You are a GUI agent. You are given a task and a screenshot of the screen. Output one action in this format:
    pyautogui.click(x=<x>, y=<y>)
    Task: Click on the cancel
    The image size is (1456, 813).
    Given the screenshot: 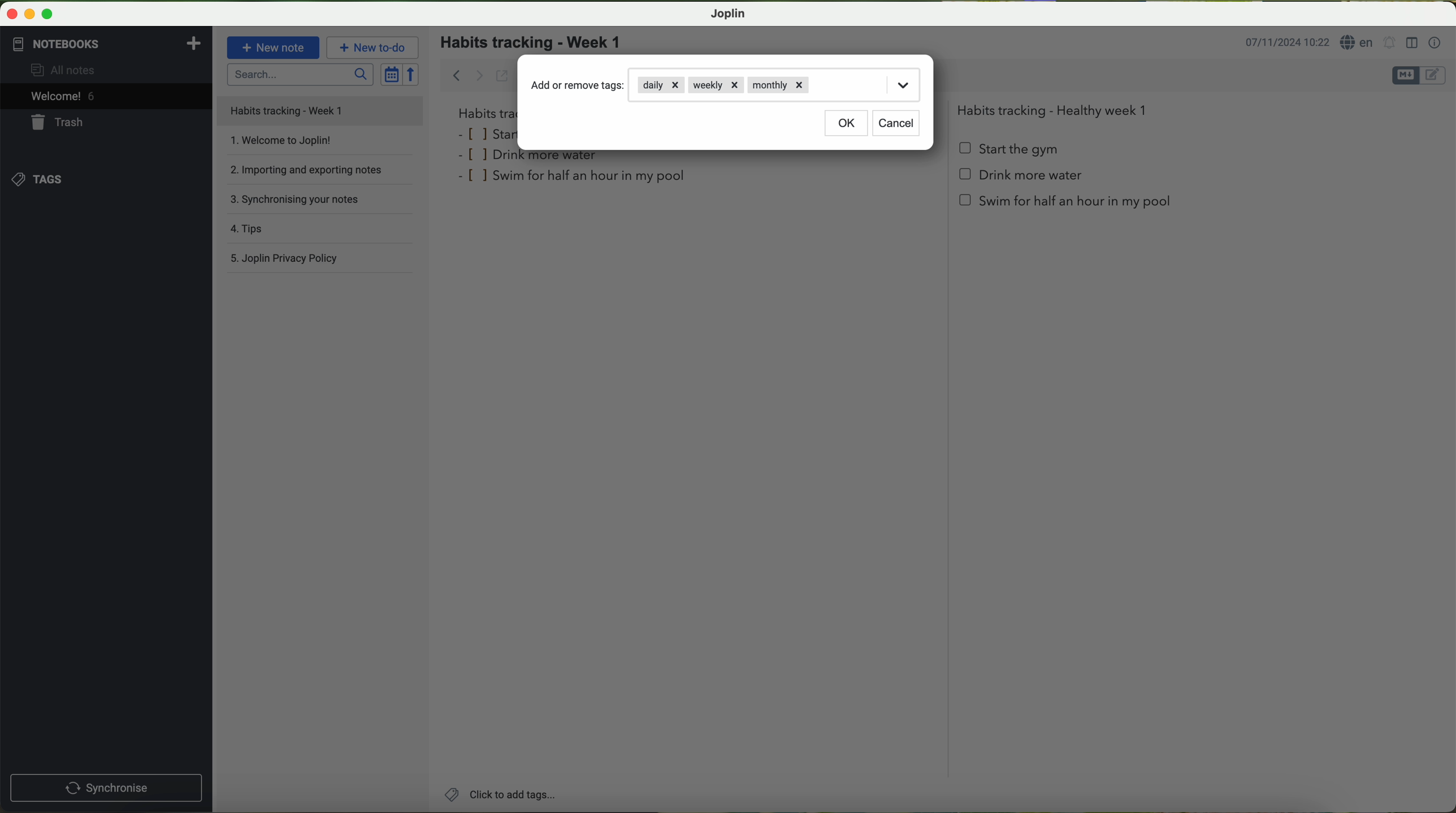 What is the action you would take?
    pyautogui.click(x=895, y=124)
    